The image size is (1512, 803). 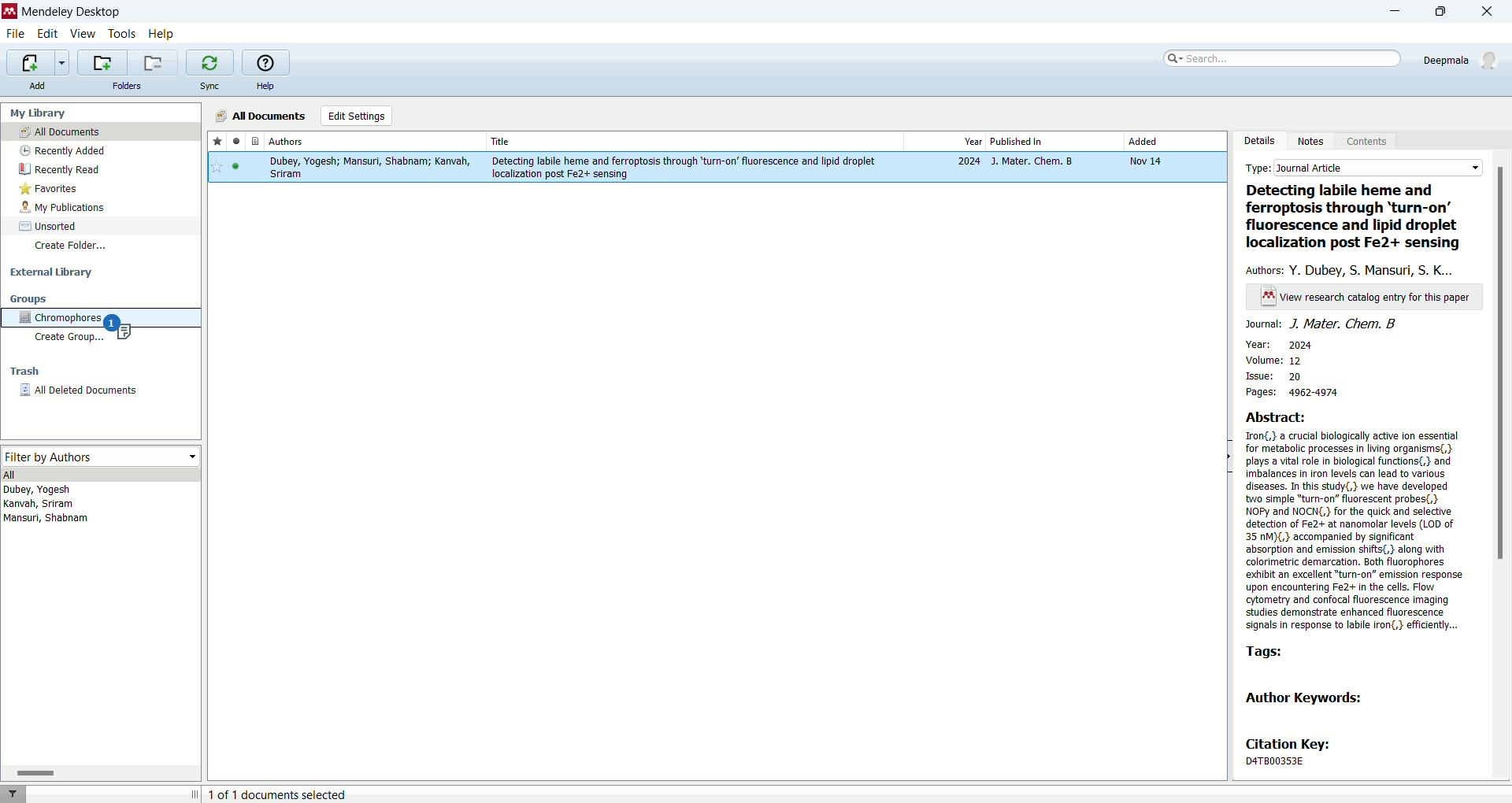 I want to click on research paper, so click(x=718, y=172).